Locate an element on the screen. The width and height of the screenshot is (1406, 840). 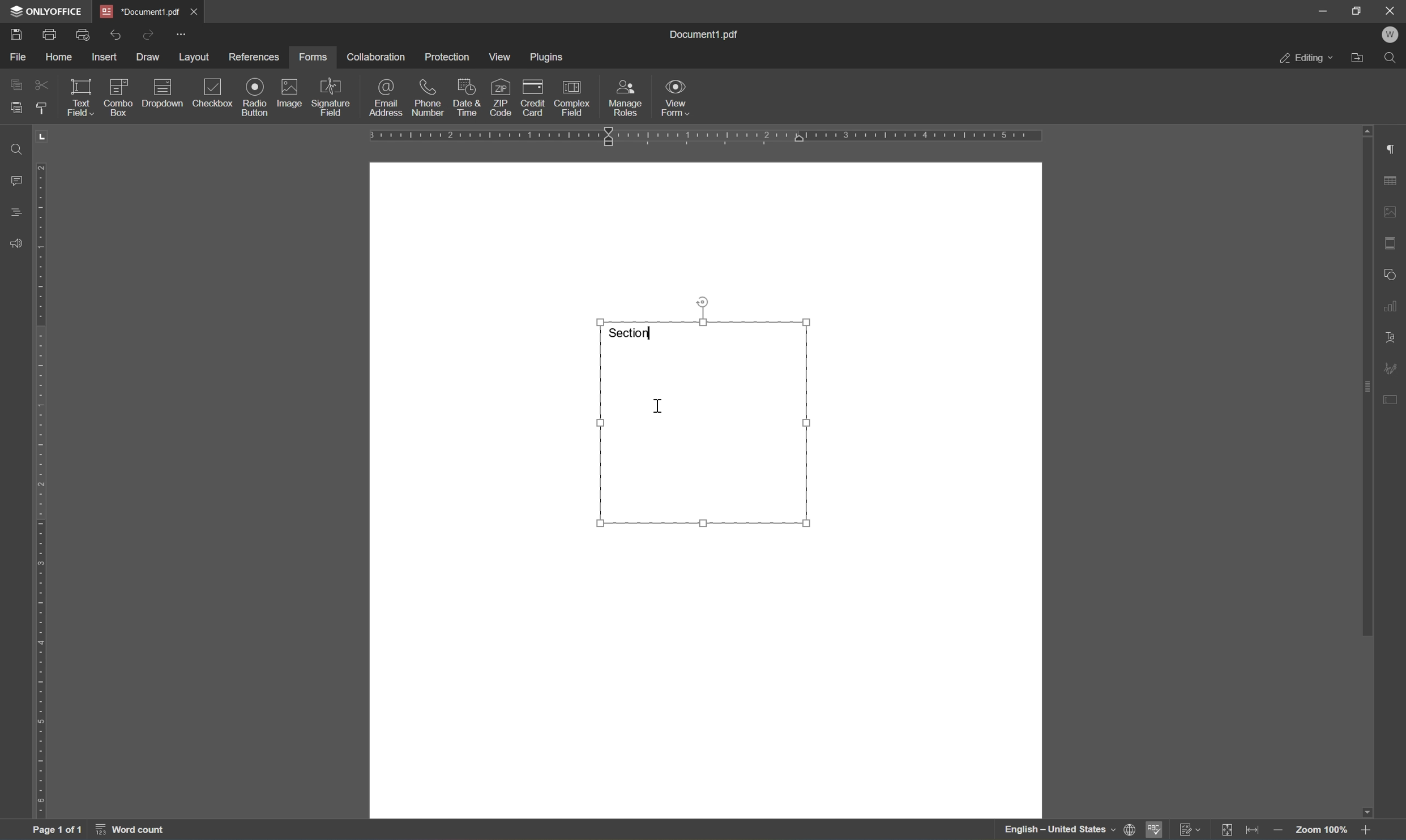
paste is located at coordinates (16, 108).